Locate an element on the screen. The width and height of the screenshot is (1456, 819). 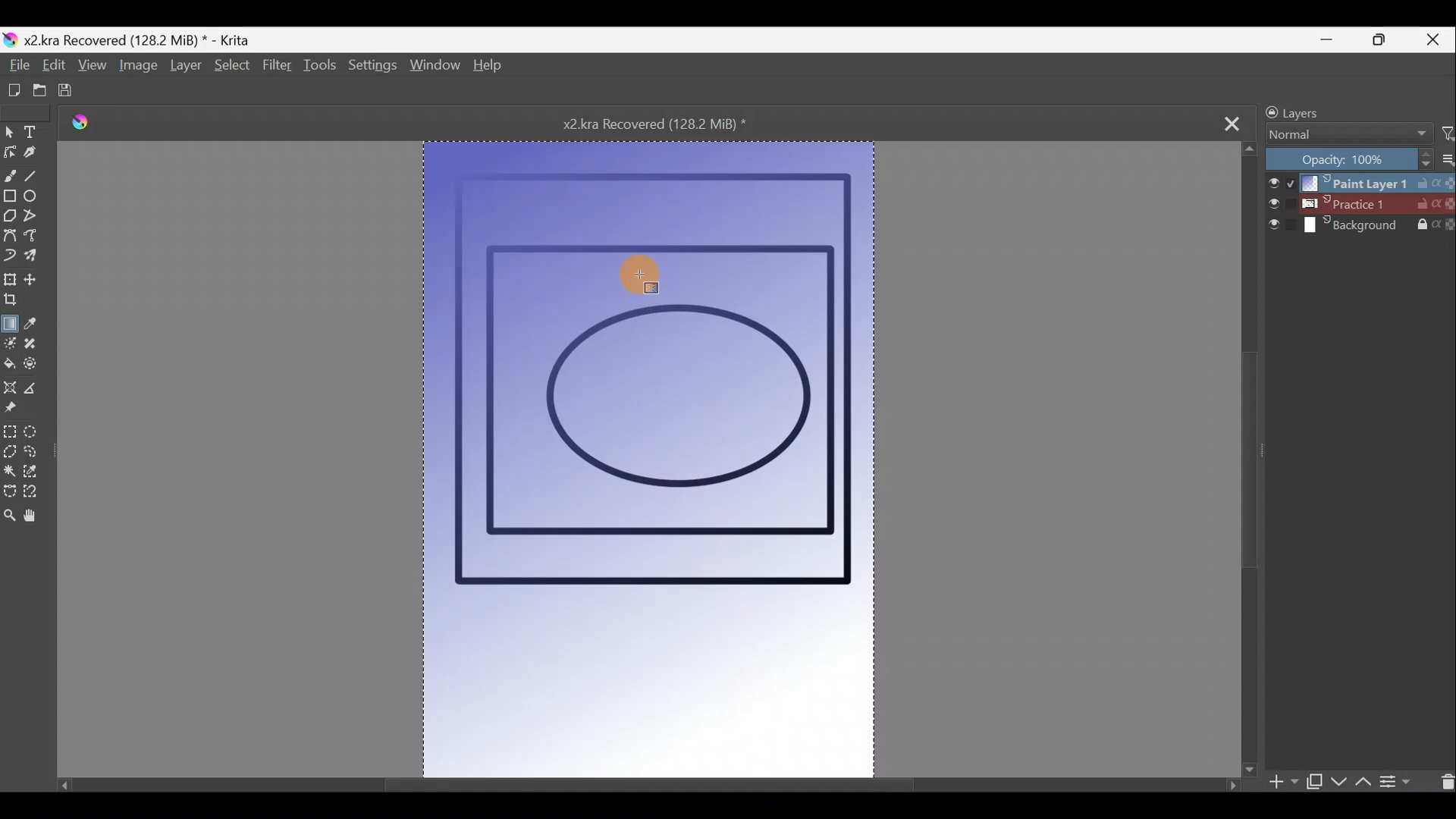
Smart patch tool is located at coordinates (36, 345).